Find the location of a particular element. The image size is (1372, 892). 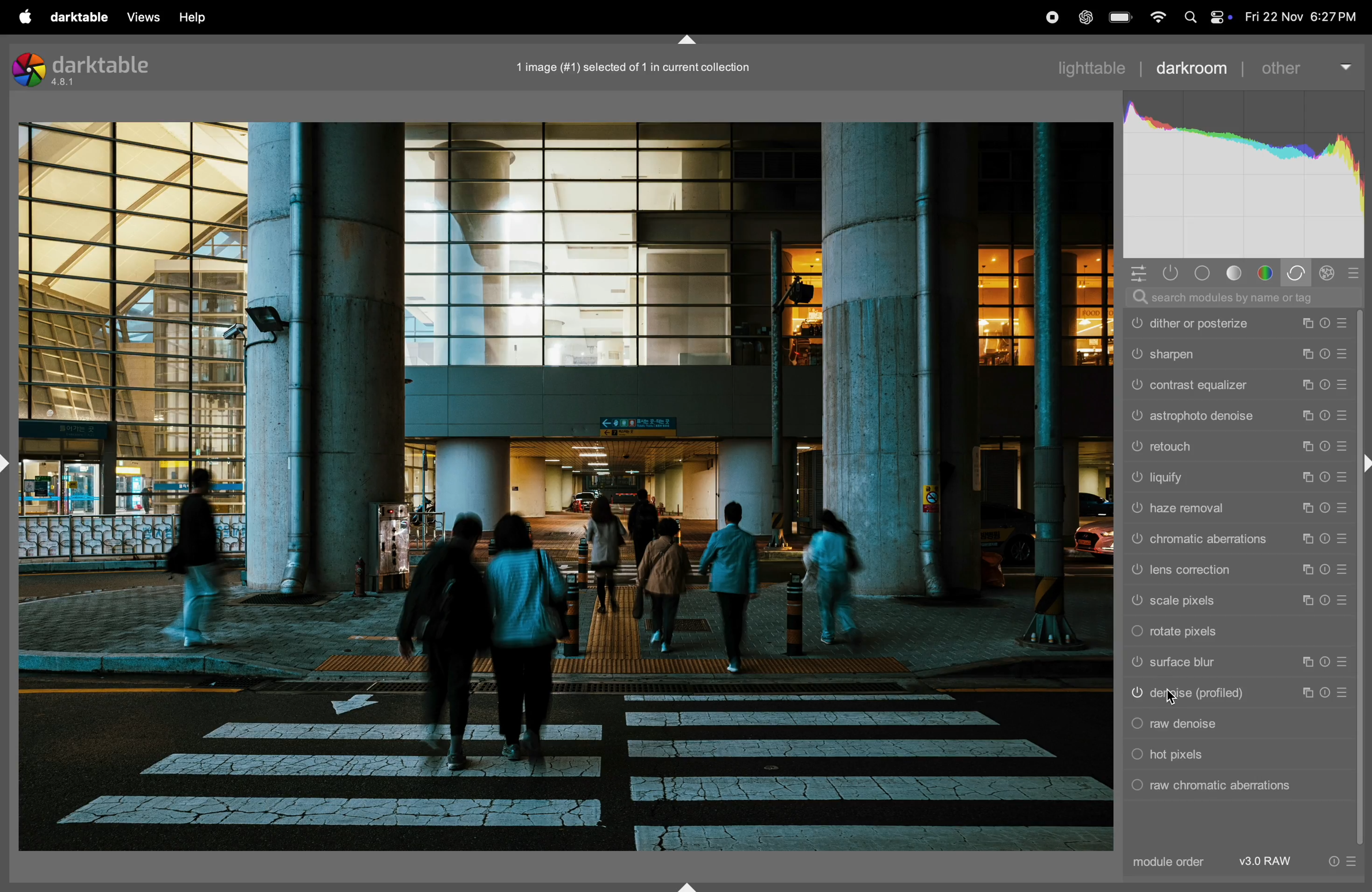

date and time is located at coordinates (1297, 18).